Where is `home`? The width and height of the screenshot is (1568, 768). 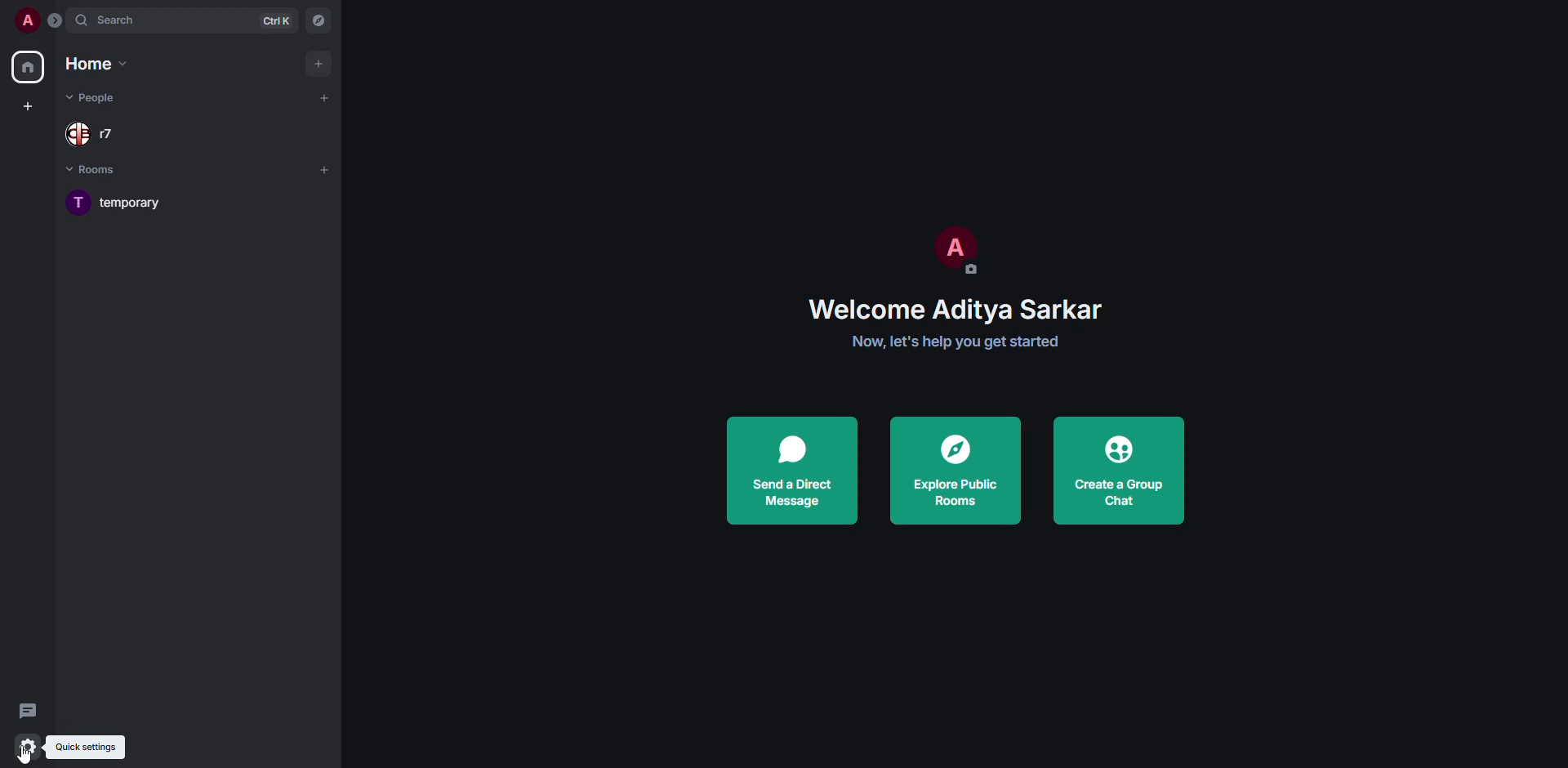
home is located at coordinates (99, 64).